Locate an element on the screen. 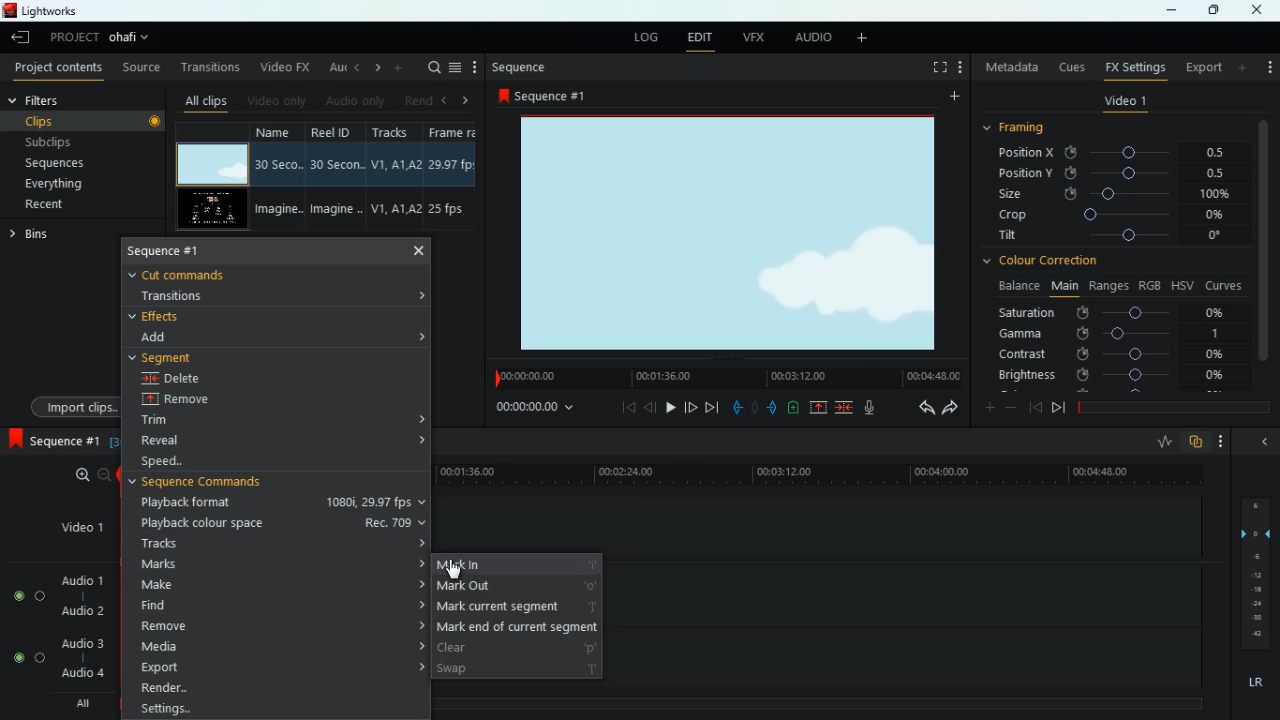 Image resolution: width=1280 pixels, height=720 pixels. brightness is located at coordinates (1110, 374).